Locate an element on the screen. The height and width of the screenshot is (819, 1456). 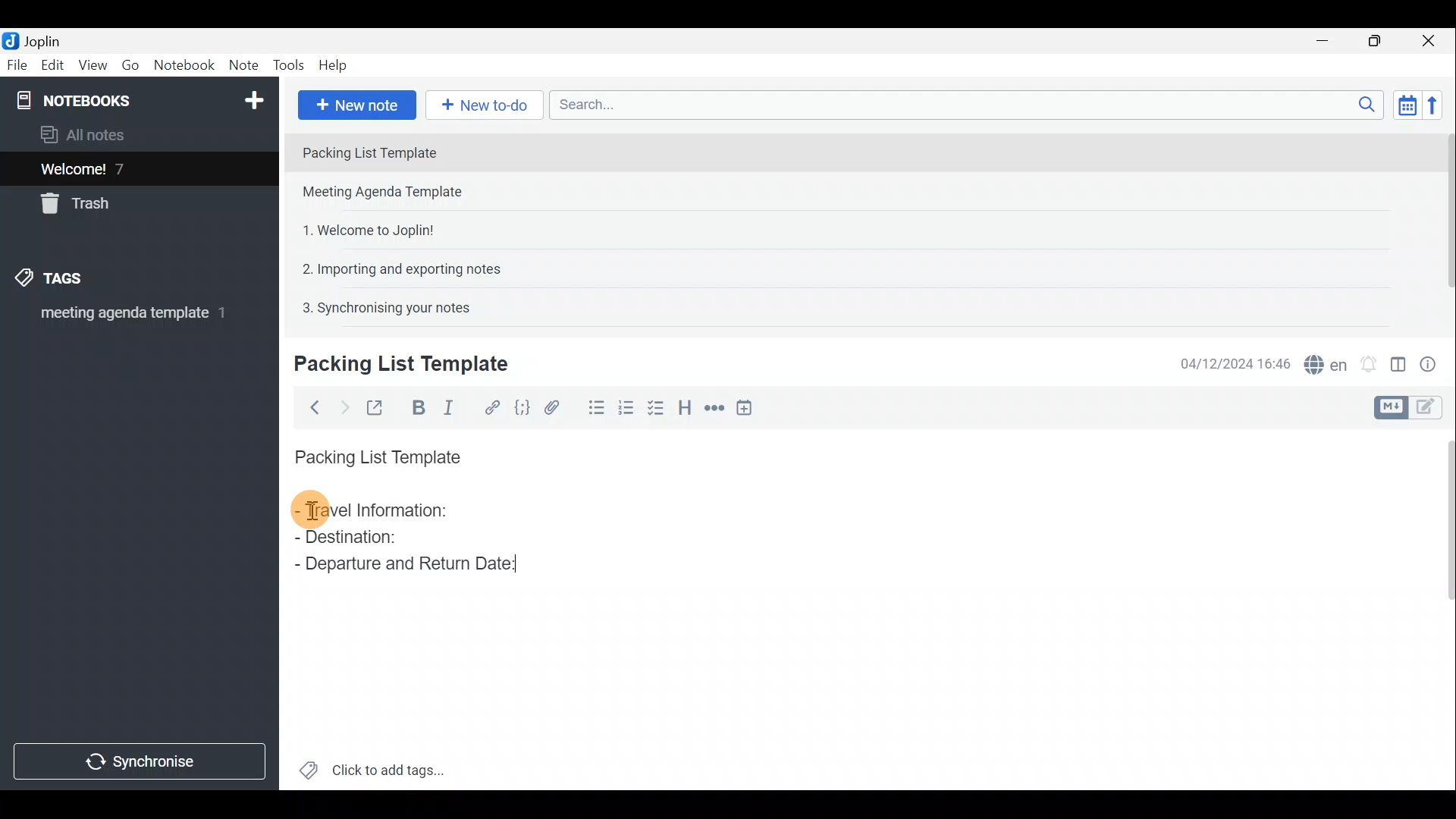
cursor is located at coordinates (313, 511).